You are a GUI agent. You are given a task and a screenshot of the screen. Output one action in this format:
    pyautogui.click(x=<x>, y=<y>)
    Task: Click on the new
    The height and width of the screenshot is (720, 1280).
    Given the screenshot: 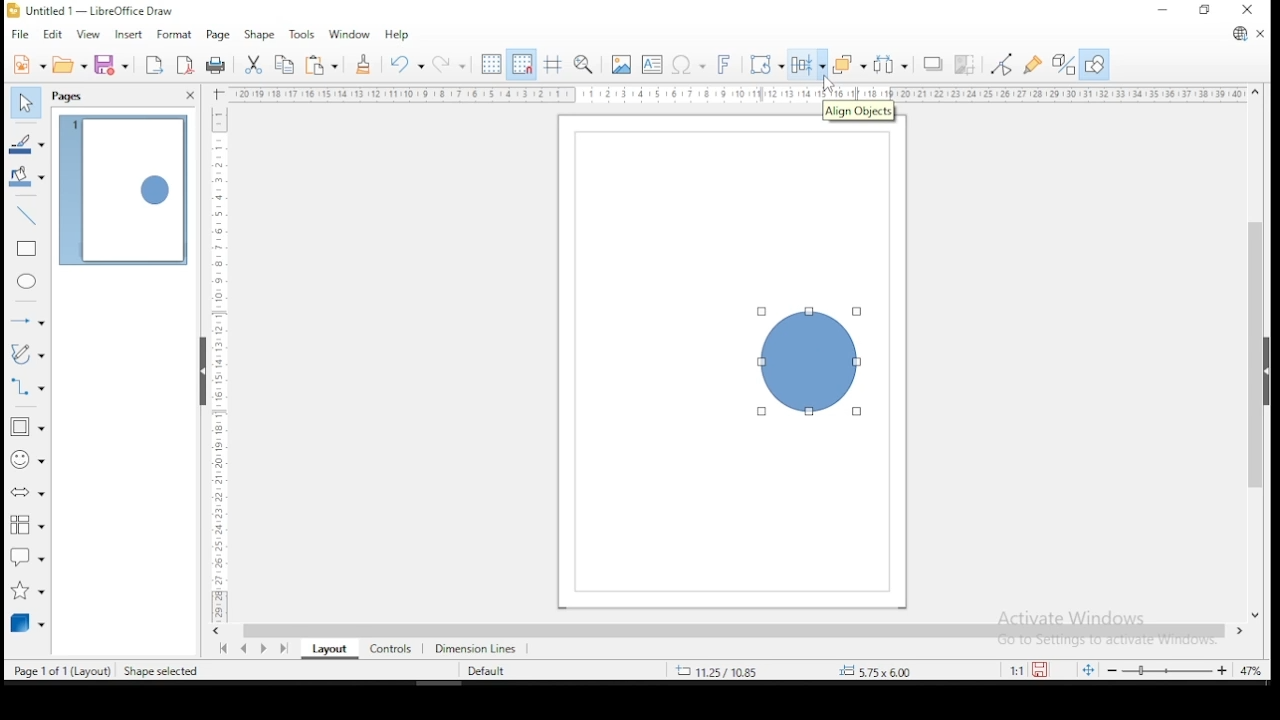 What is the action you would take?
    pyautogui.click(x=28, y=64)
    